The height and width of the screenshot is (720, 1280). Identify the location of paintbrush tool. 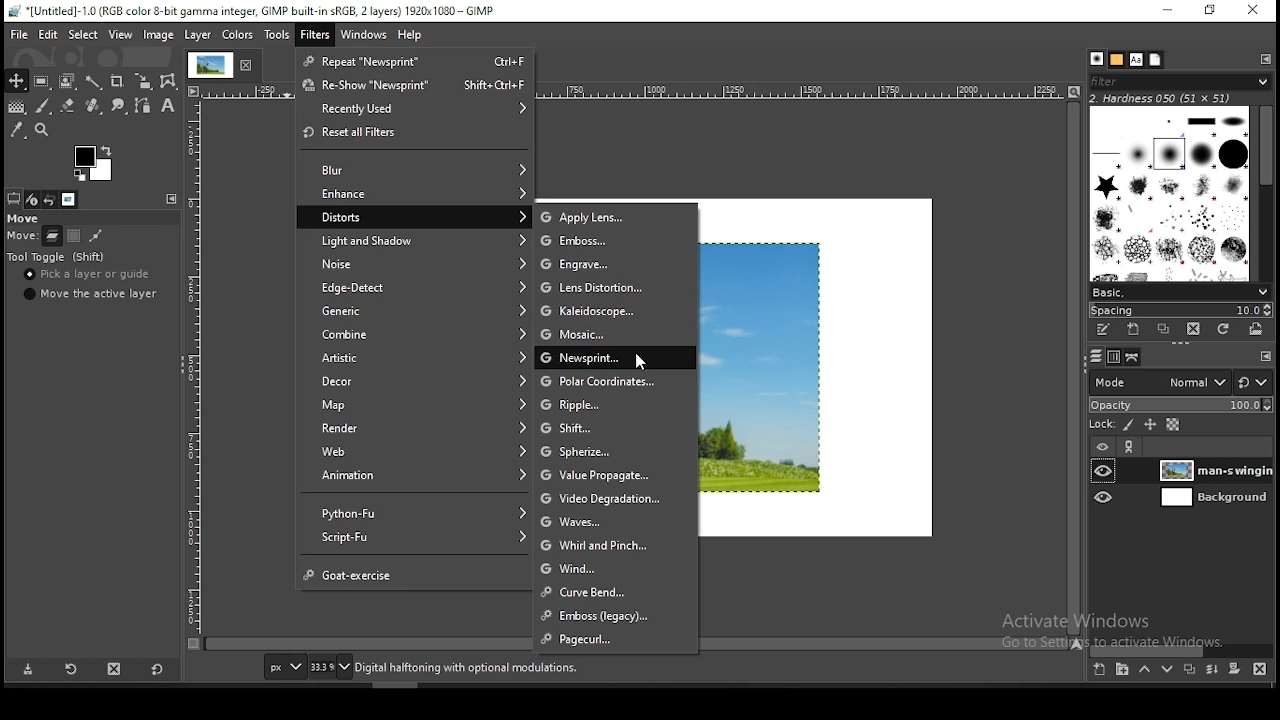
(43, 106).